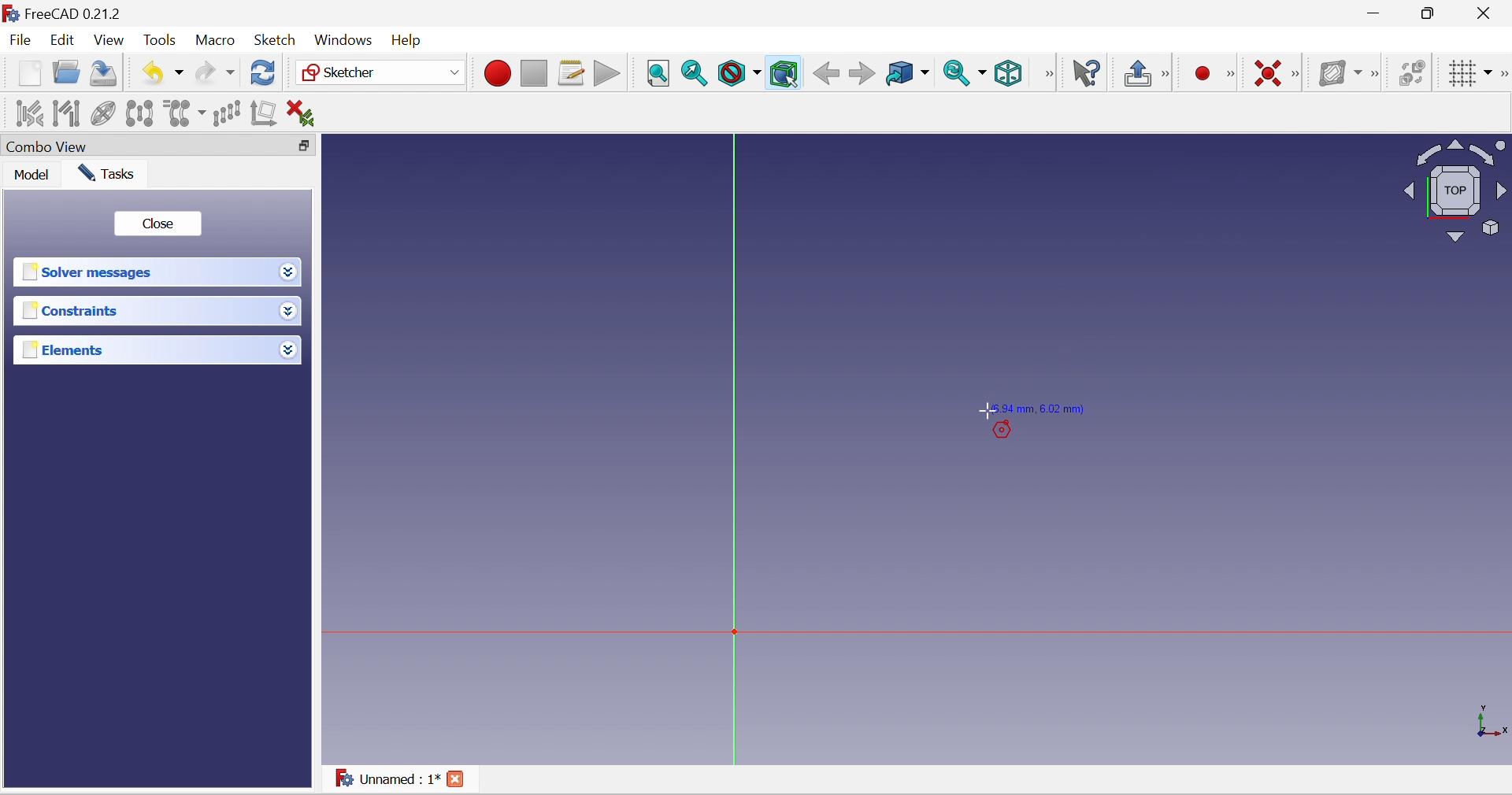 Image resolution: width=1512 pixels, height=795 pixels. Describe the element at coordinates (288, 272) in the screenshot. I see `Drop down` at that location.